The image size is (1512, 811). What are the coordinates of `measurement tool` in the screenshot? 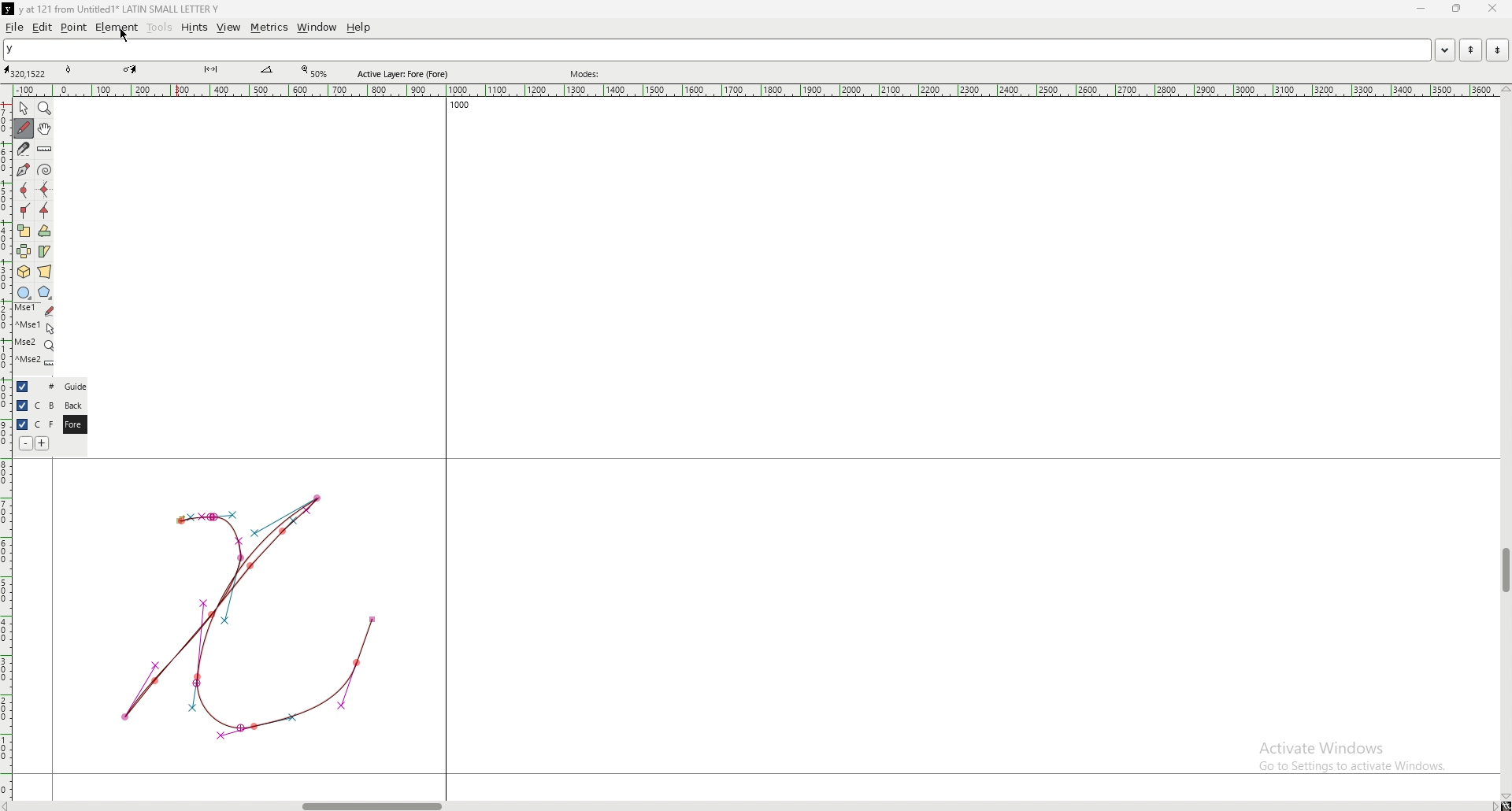 It's located at (267, 70).